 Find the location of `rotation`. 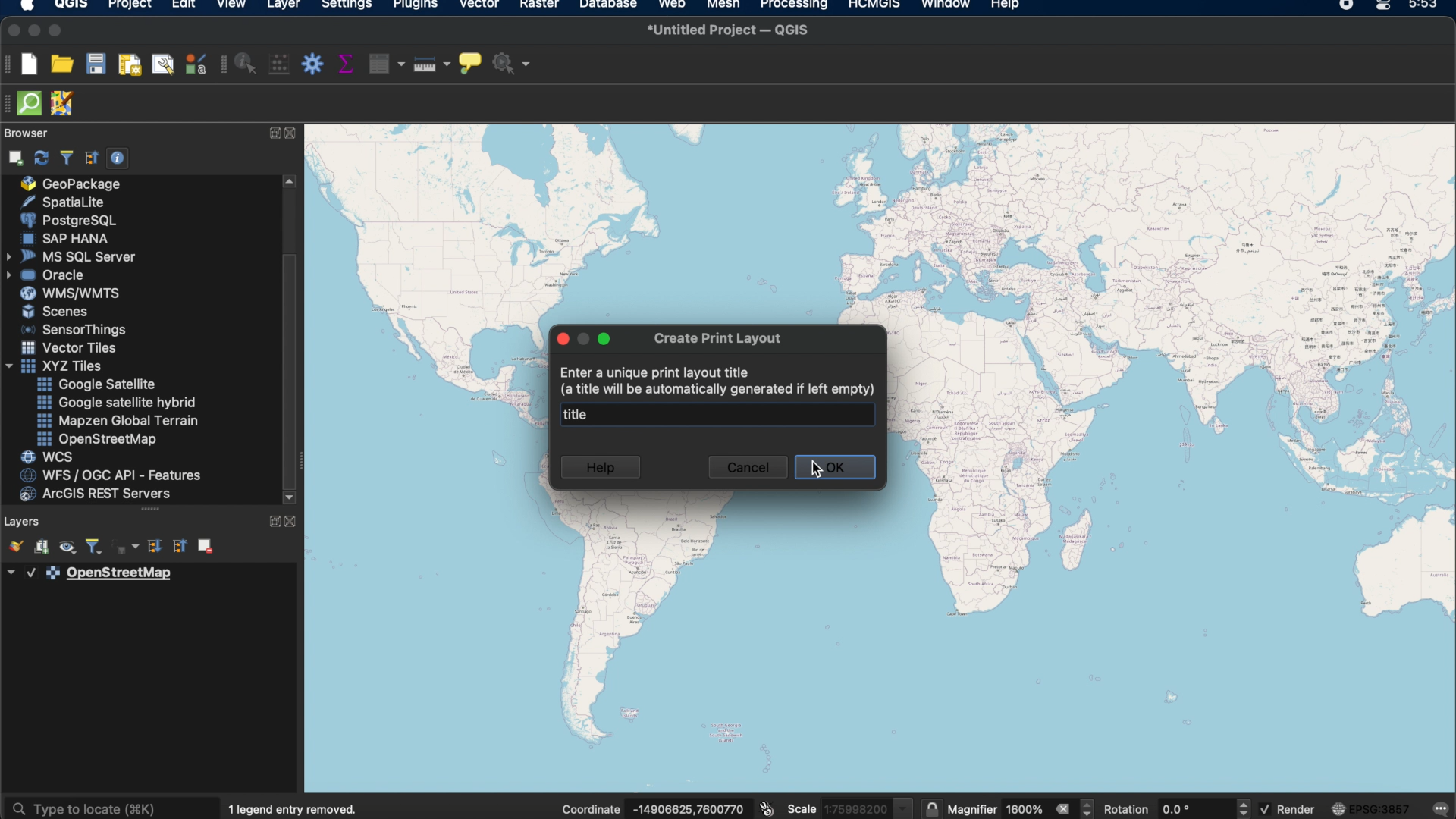

rotation is located at coordinates (1177, 807).